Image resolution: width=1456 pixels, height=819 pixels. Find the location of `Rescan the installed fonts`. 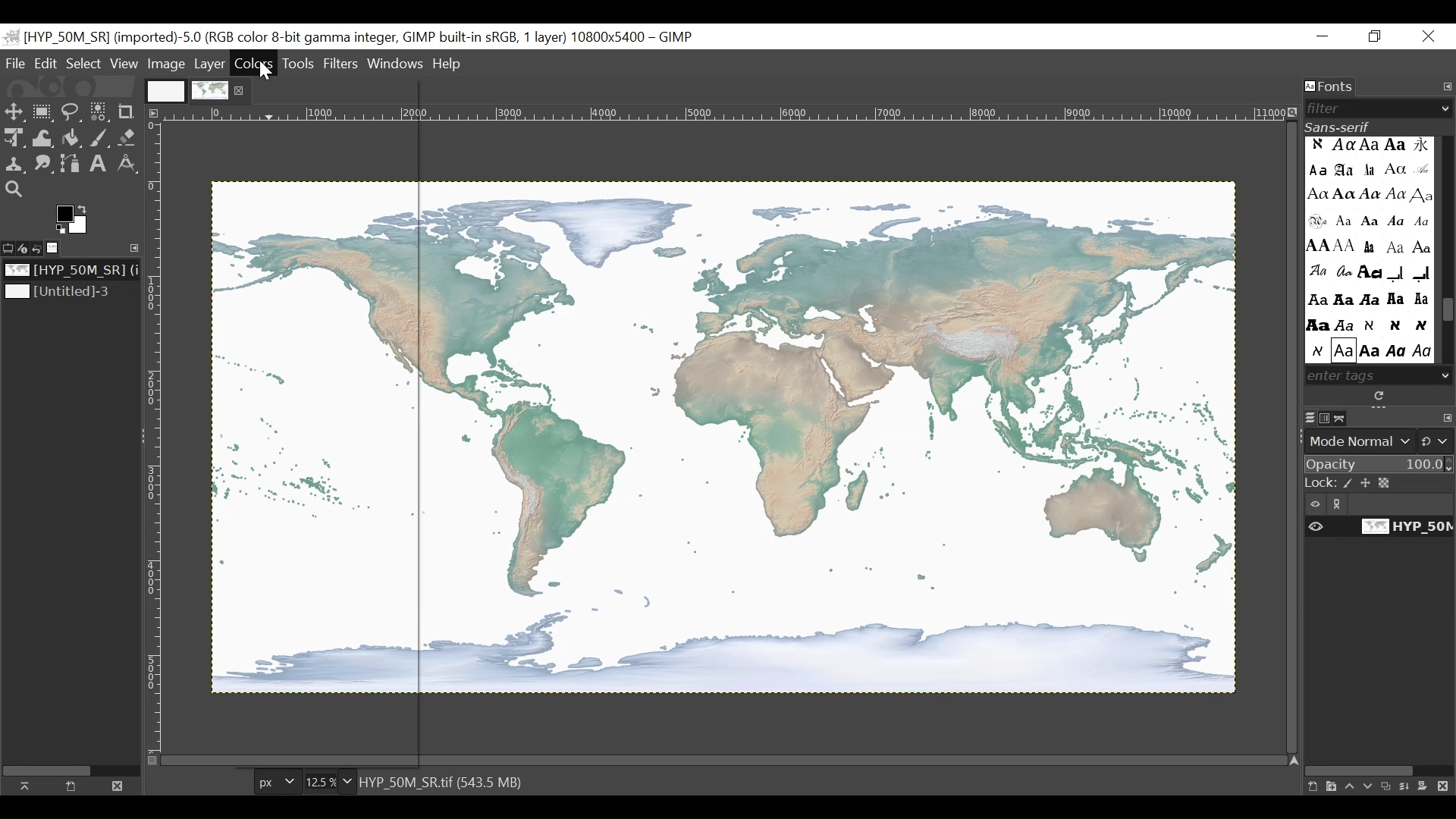

Rescan the installed fonts is located at coordinates (1381, 396).